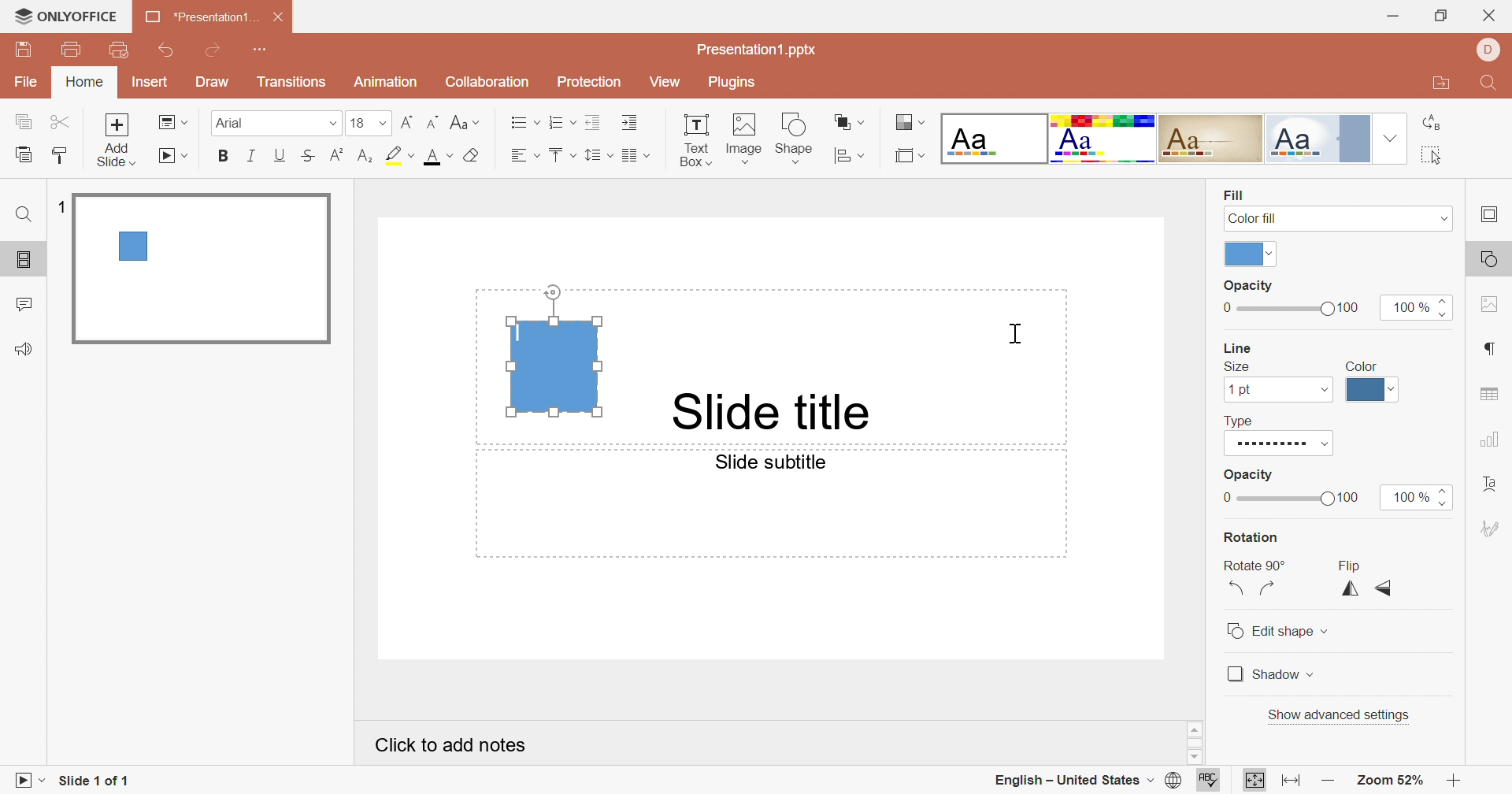  I want to click on Rotate 90° anticlockwise, so click(1236, 590).